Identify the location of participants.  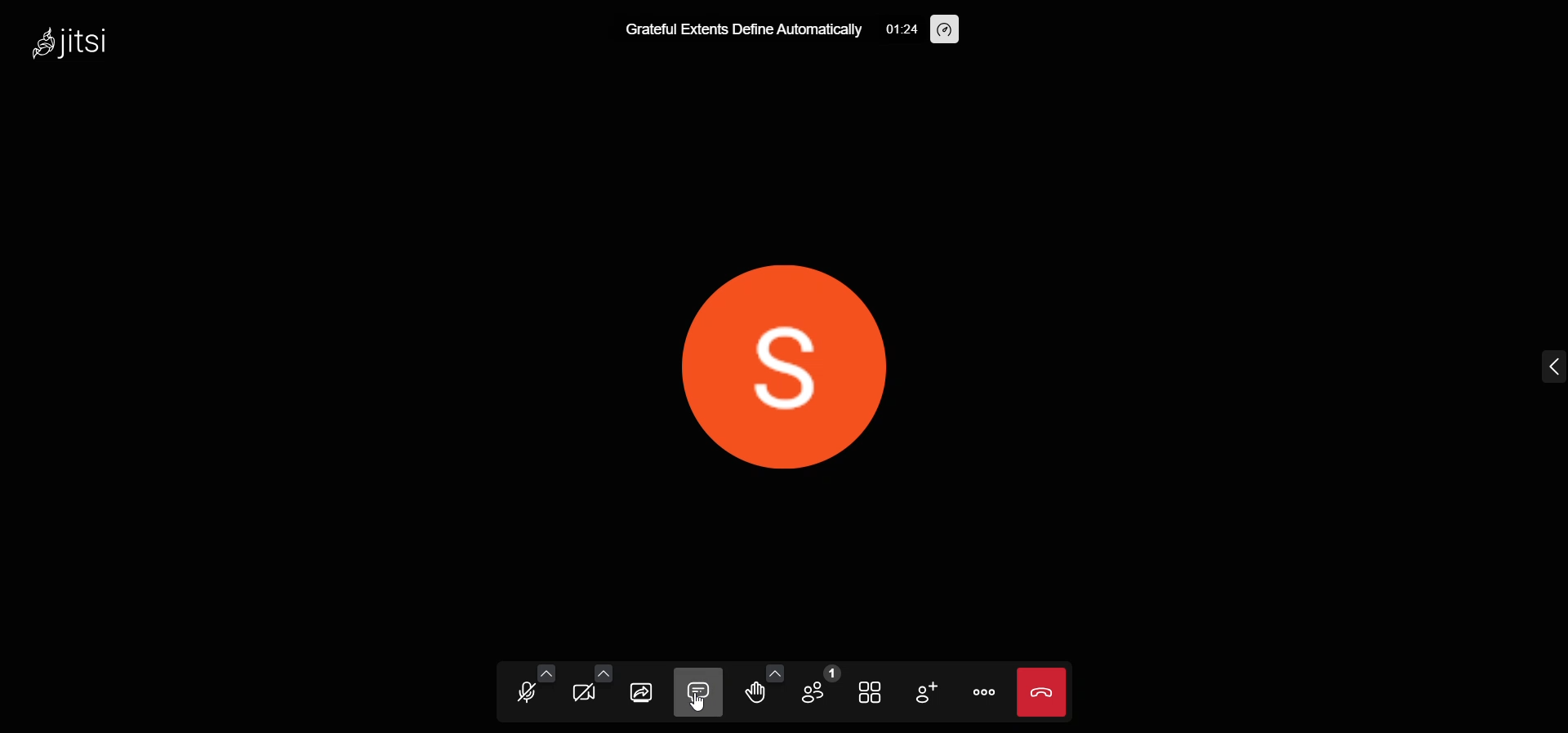
(813, 691).